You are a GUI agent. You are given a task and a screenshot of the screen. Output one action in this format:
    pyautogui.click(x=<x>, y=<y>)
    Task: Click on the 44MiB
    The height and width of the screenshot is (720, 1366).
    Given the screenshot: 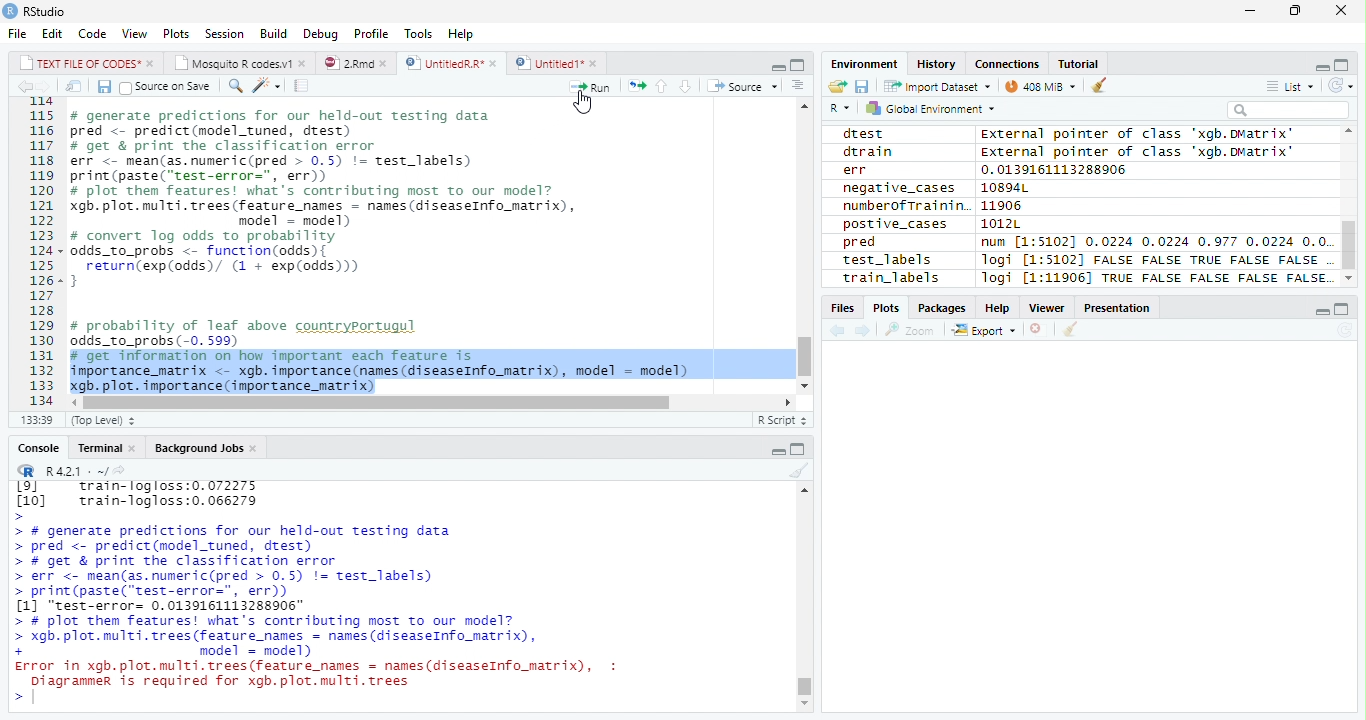 What is the action you would take?
    pyautogui.click(x=1037, y=84)
    